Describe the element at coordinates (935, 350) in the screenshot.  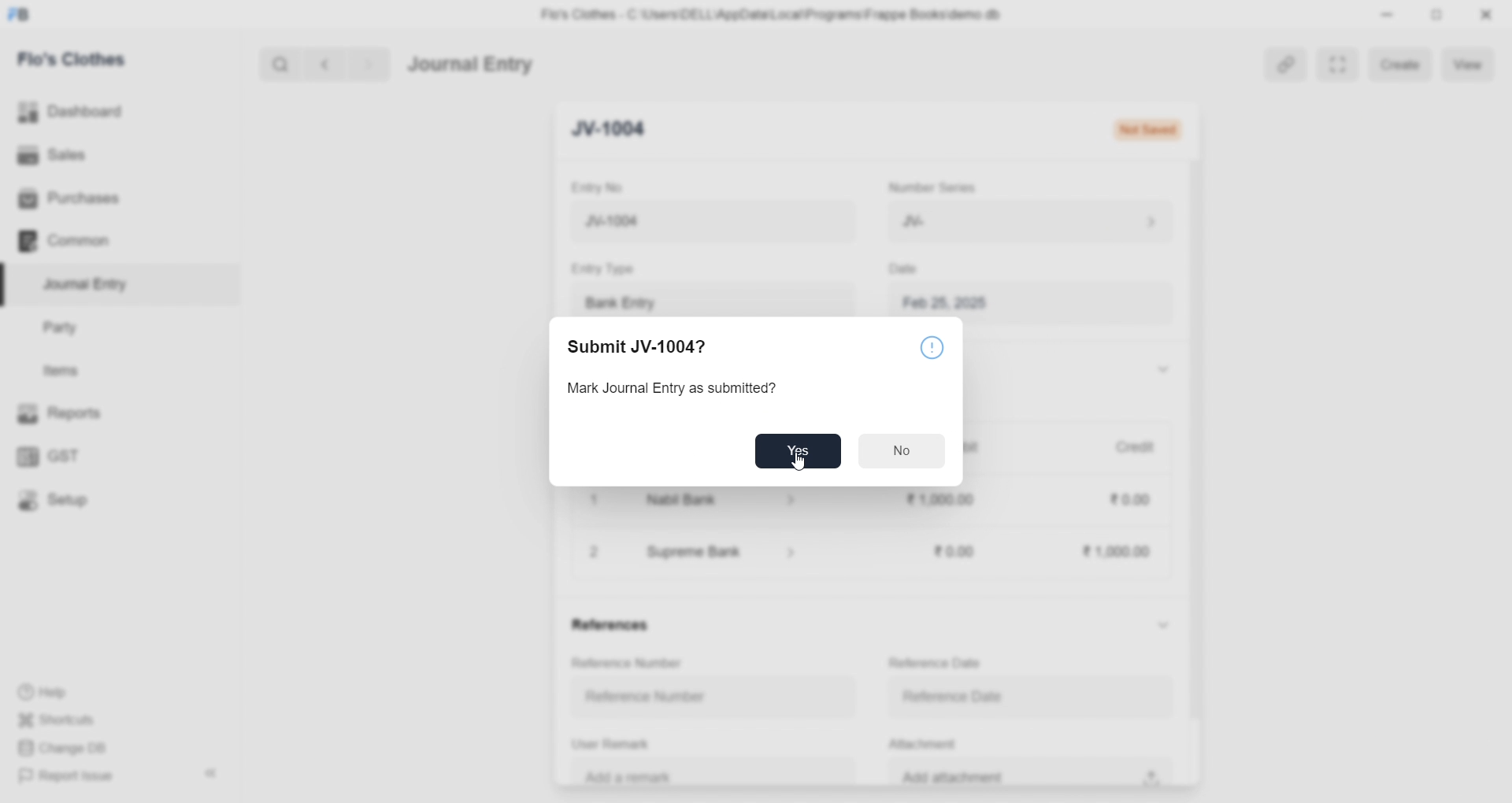
I see `notice ` at that location.